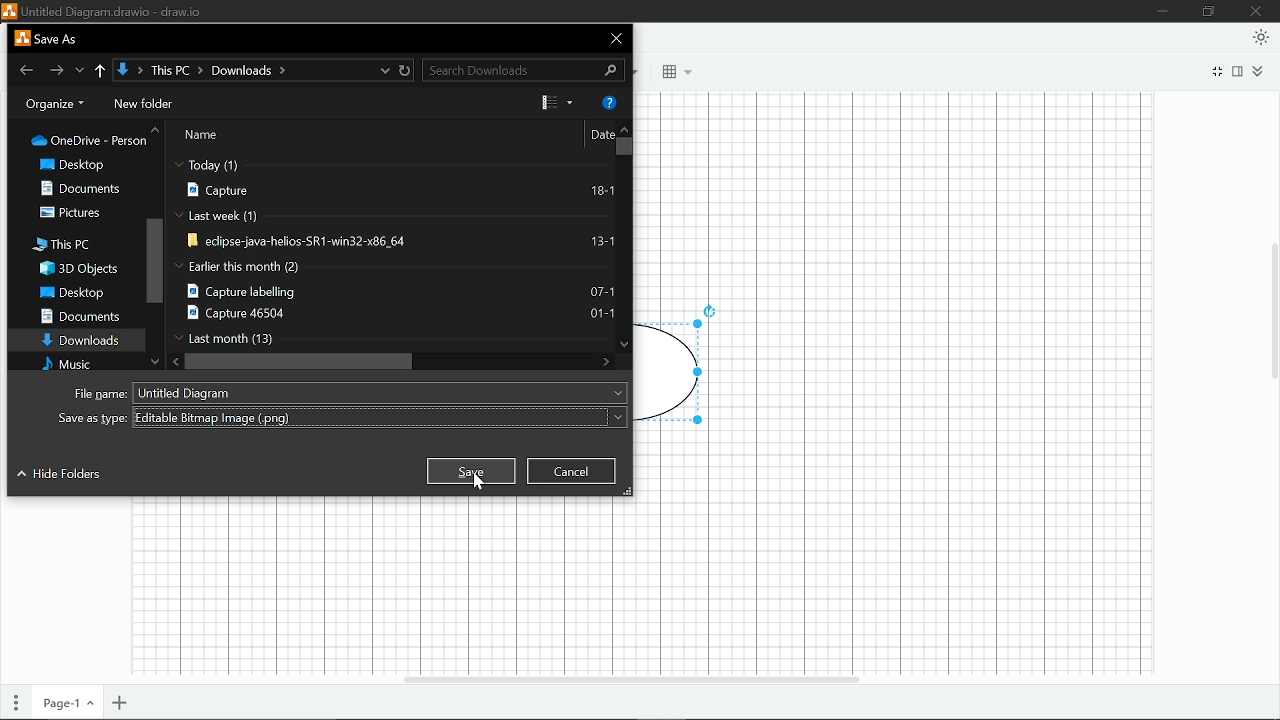  Describe the element at coordinates (1258, 11) in the screenshot. I see `close` at that location.